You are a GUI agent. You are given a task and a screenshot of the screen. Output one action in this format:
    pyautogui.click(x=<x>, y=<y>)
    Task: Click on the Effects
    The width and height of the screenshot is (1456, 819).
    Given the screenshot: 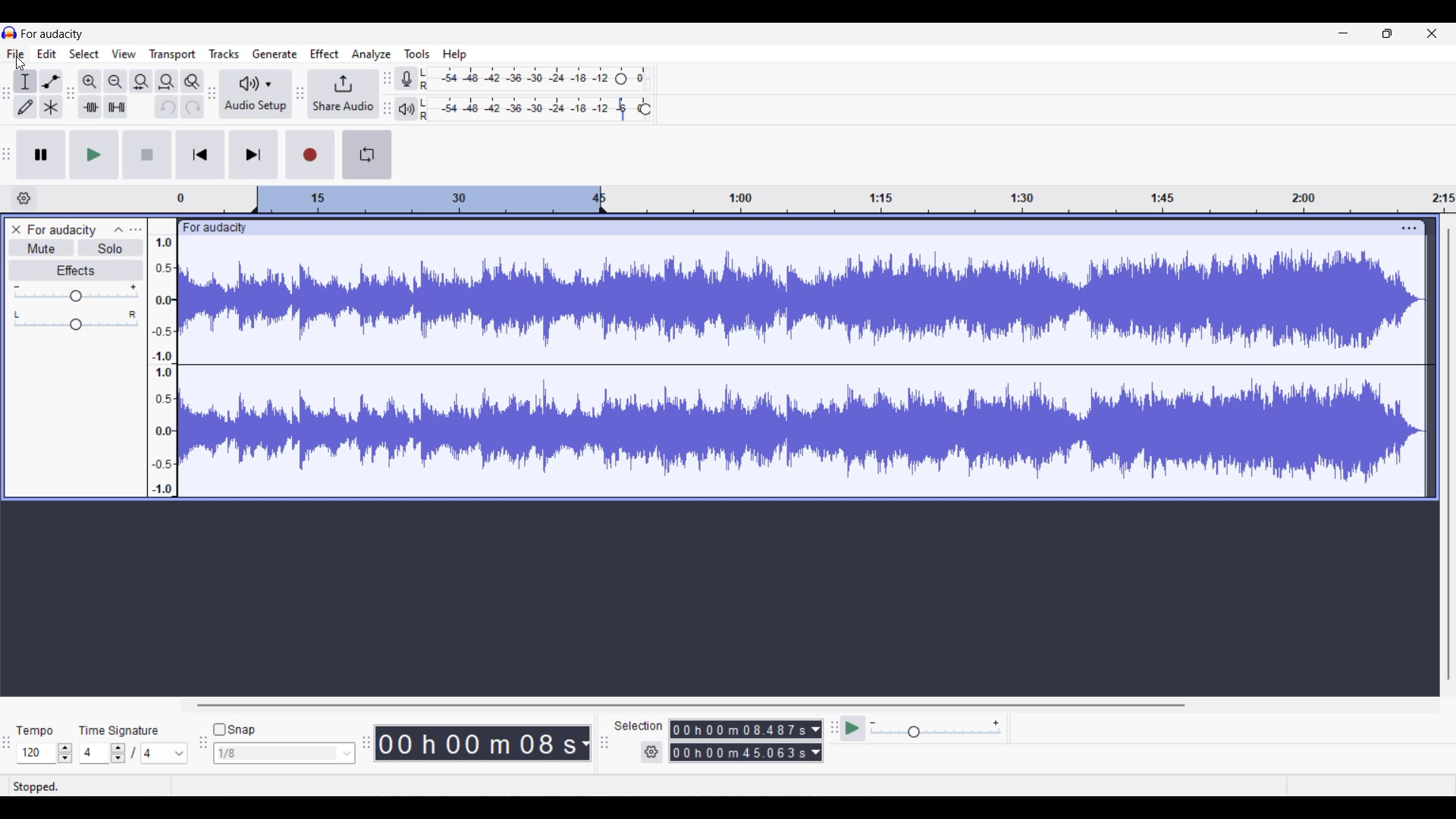 What is the action you would take?
    pyautogui.click(x=77, y=271)
    